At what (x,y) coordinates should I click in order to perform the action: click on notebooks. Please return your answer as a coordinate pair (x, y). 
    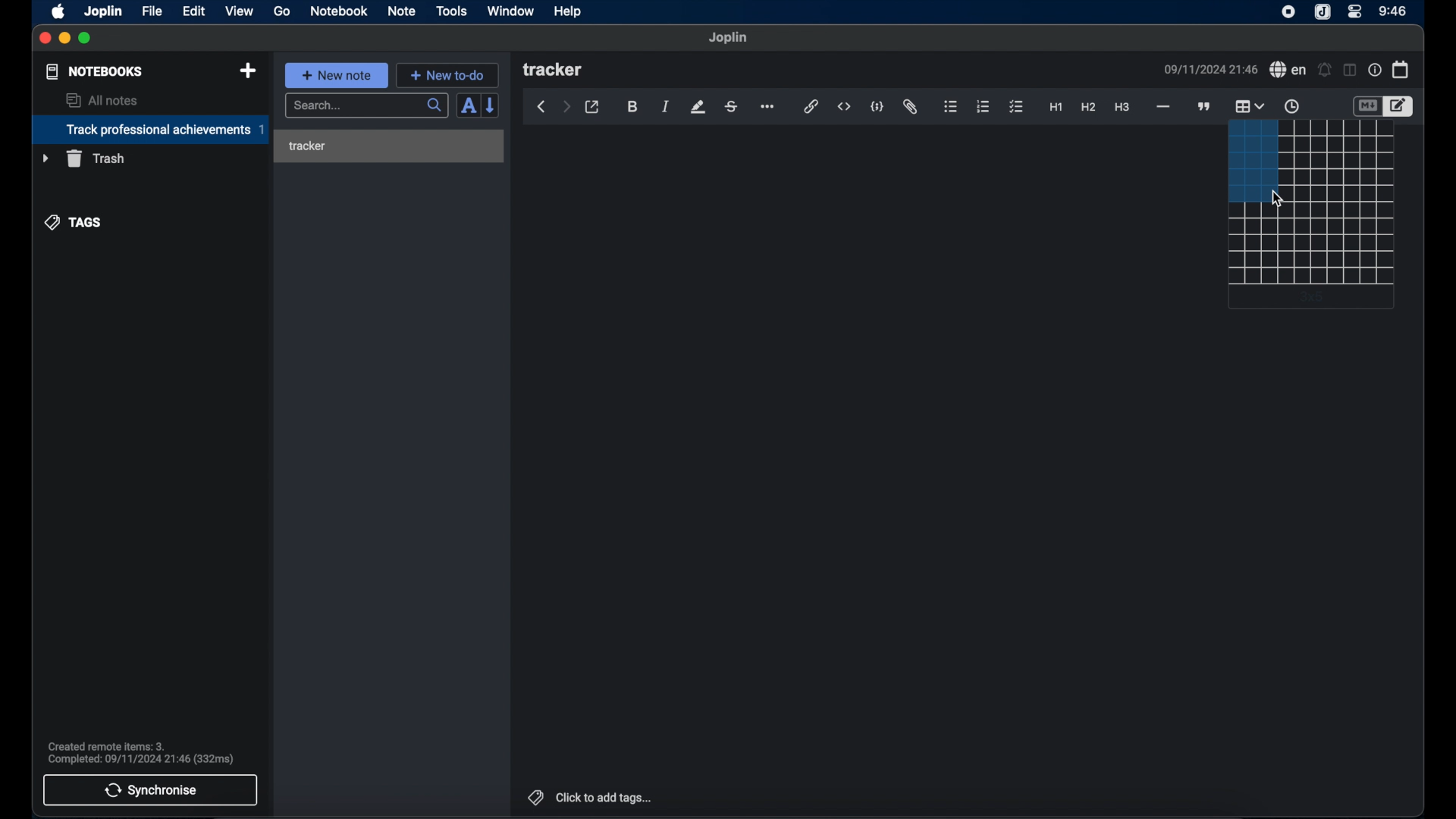
    Looking at the image, I should click on (93, 71).